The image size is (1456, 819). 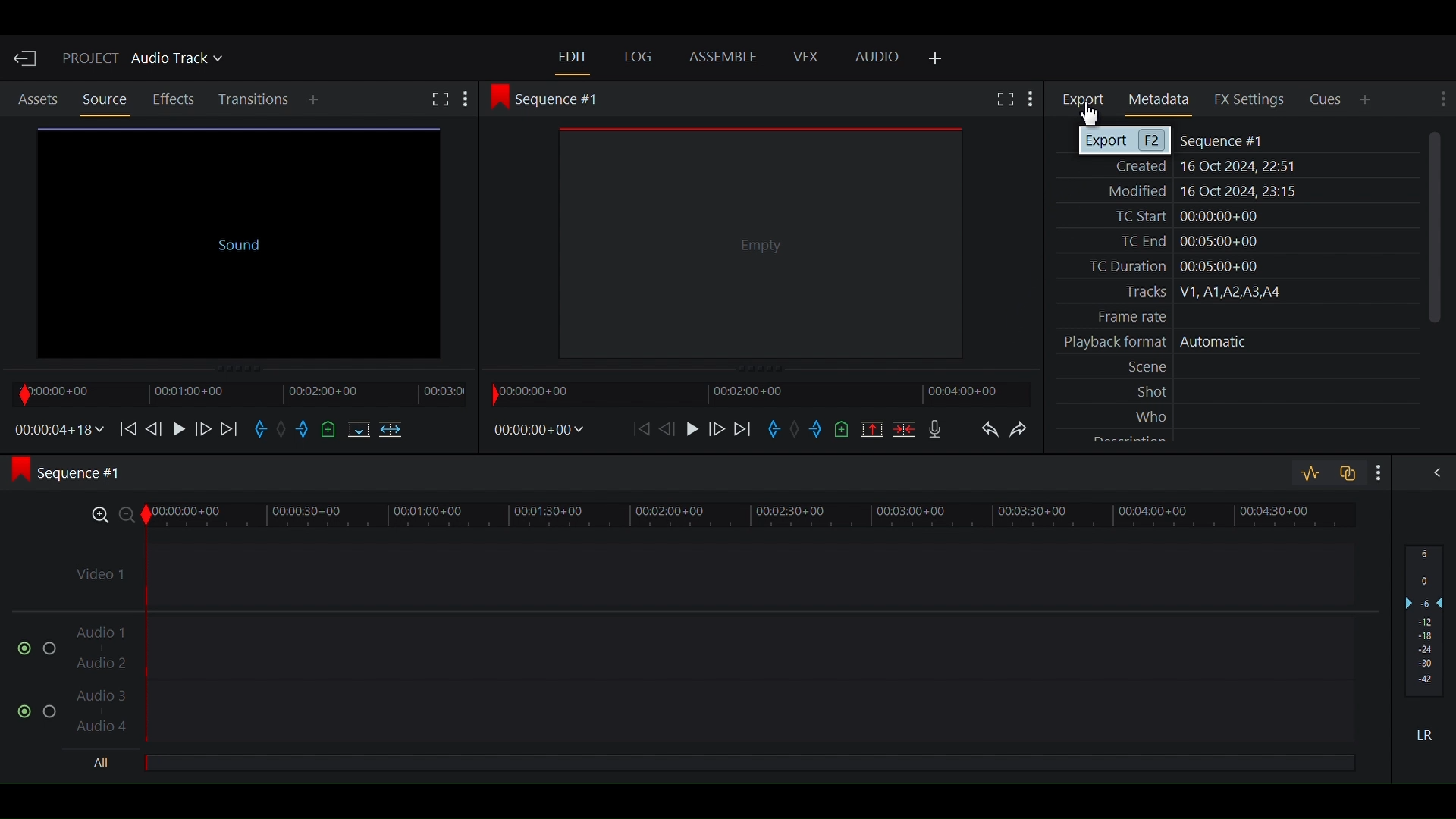 What do you see at coordinates (1026, 433) in the screenshot?
I see `Redo` at bounding box center [1026, 433].